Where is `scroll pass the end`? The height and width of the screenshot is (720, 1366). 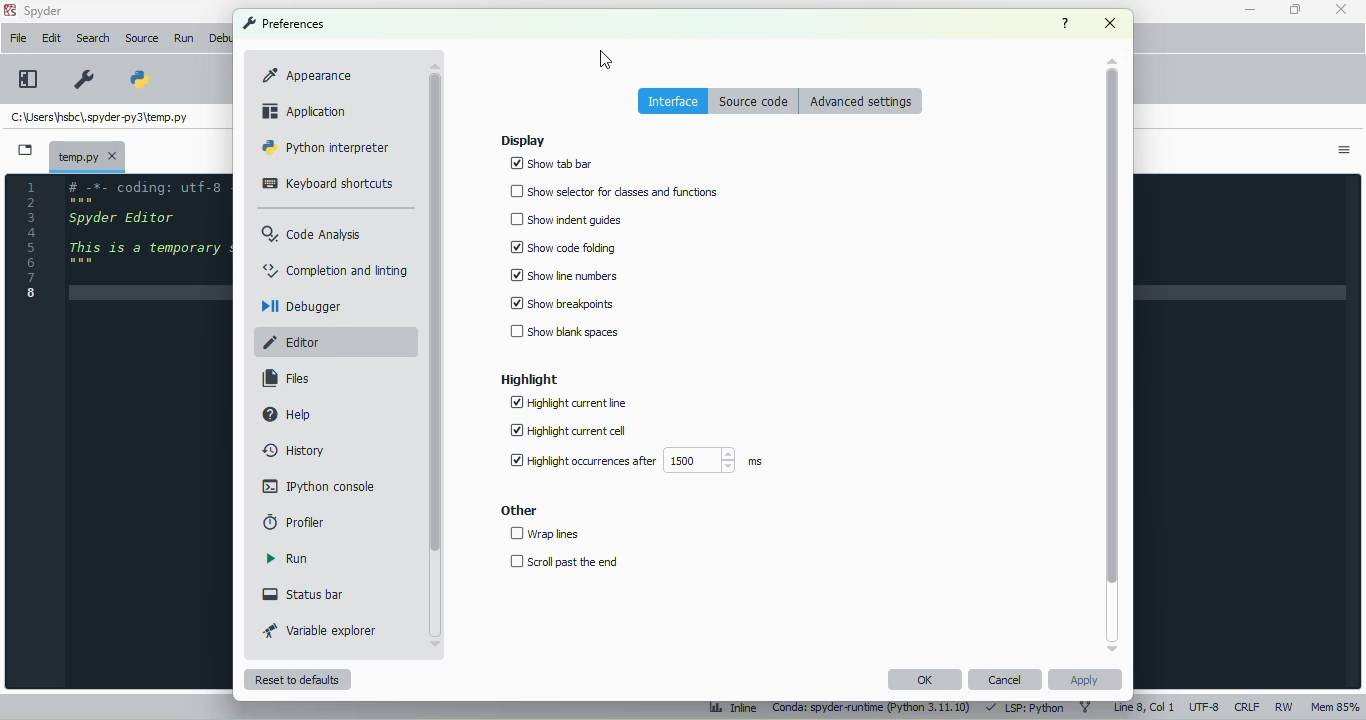
scroll pass the end is located at coordinates (564, 561).